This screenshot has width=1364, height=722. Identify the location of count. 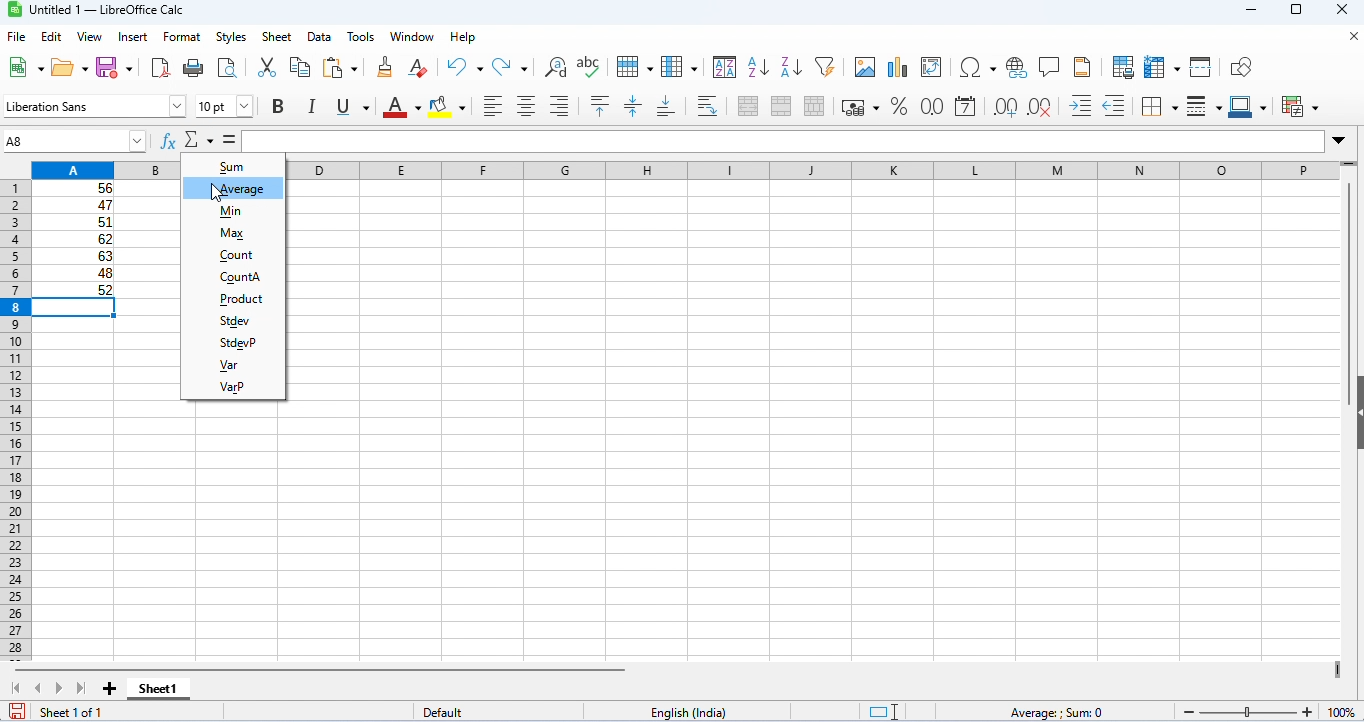
(233, 255).